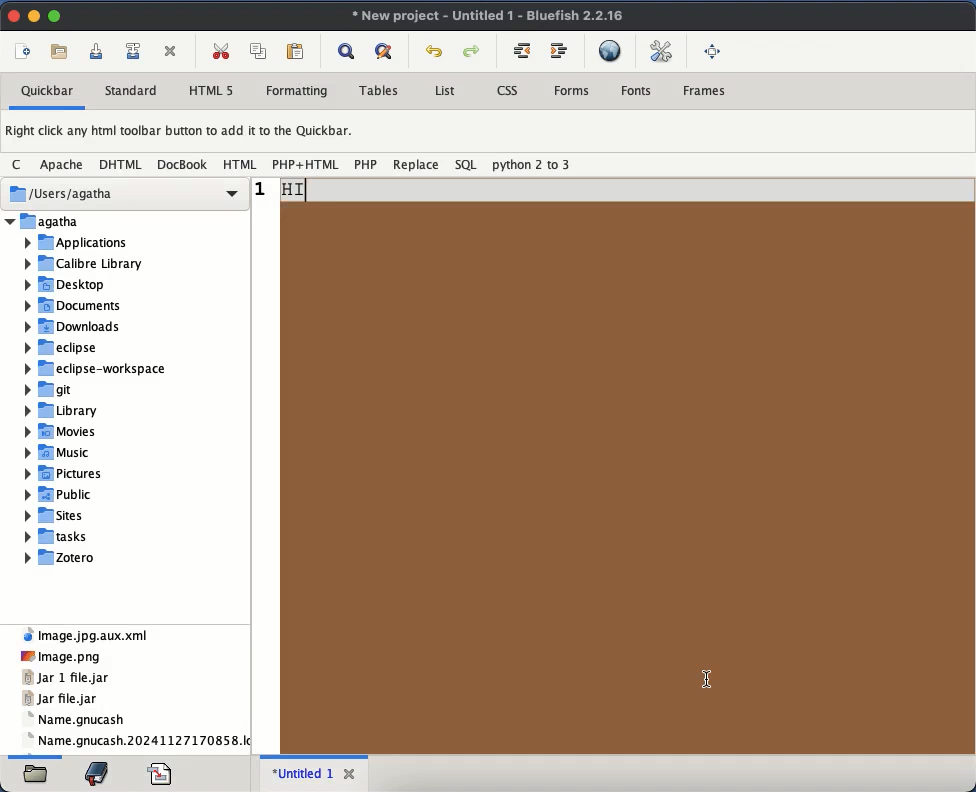 The width and height of the screenshot is (976, 792). What do you see at coordinates (708, 91) in the screenshot?
I see `frames` at bounding box center [708, 91].